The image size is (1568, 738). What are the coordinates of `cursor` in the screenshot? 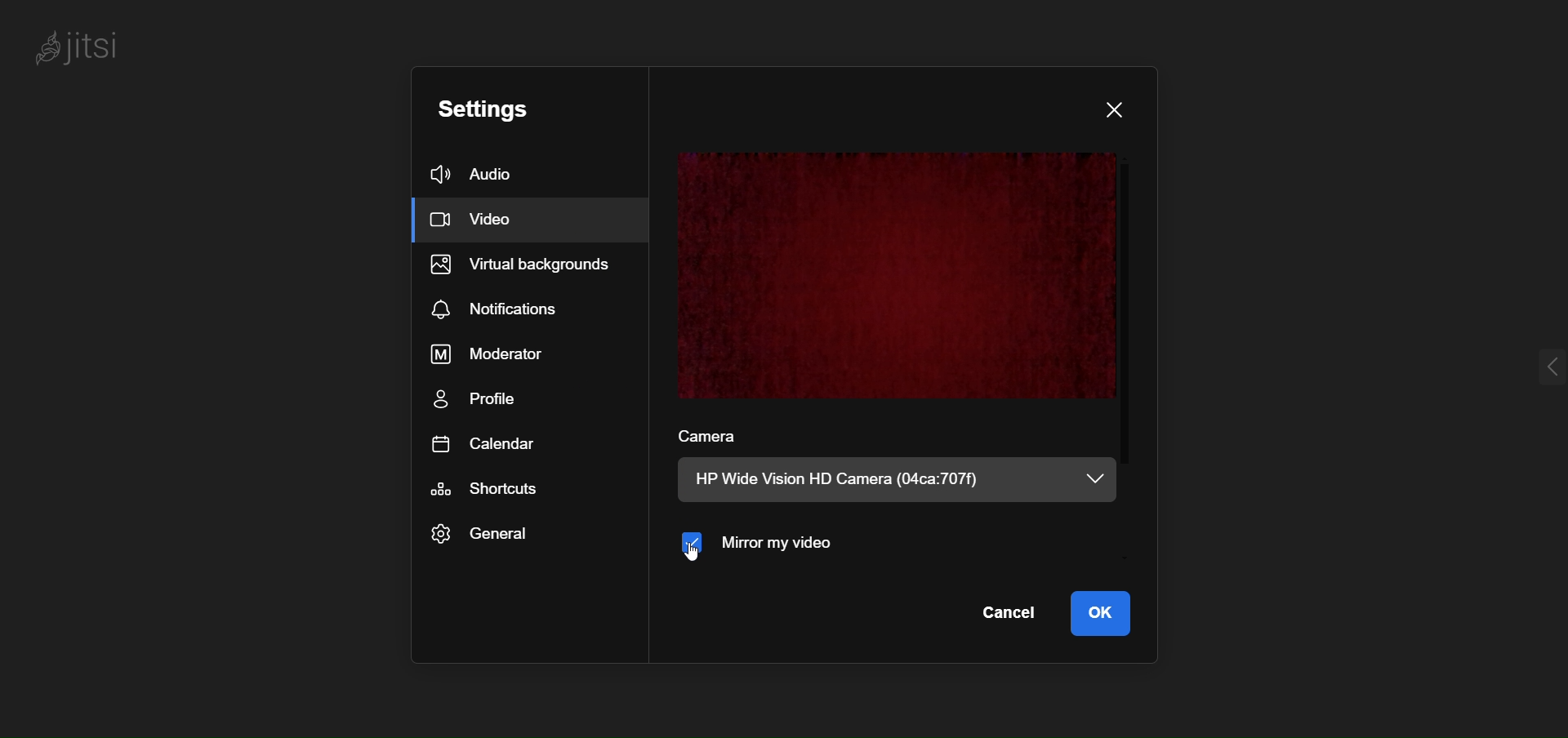 It's located at (687, 553).